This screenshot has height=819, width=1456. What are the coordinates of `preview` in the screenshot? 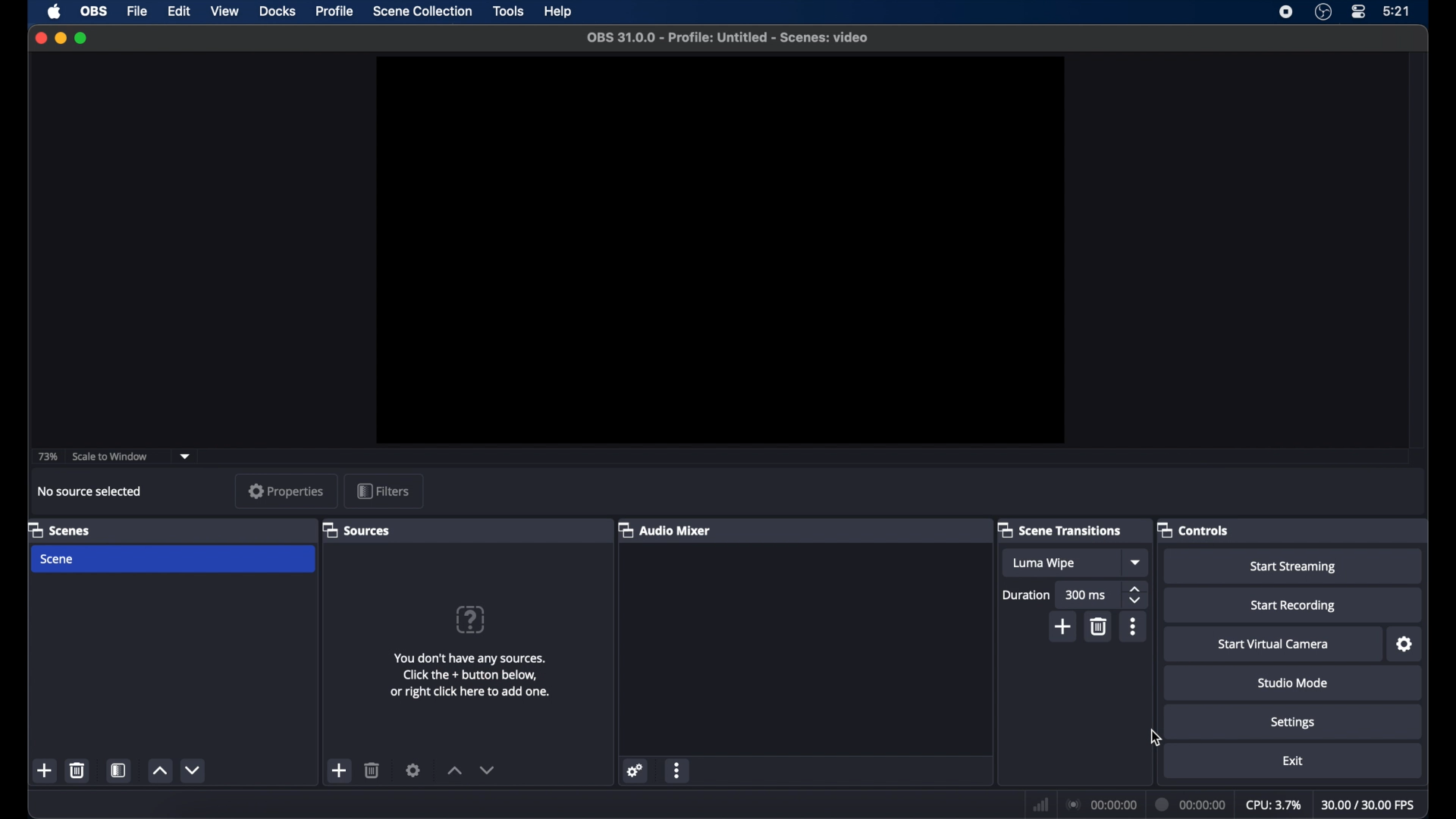 It's located at (720, 250).